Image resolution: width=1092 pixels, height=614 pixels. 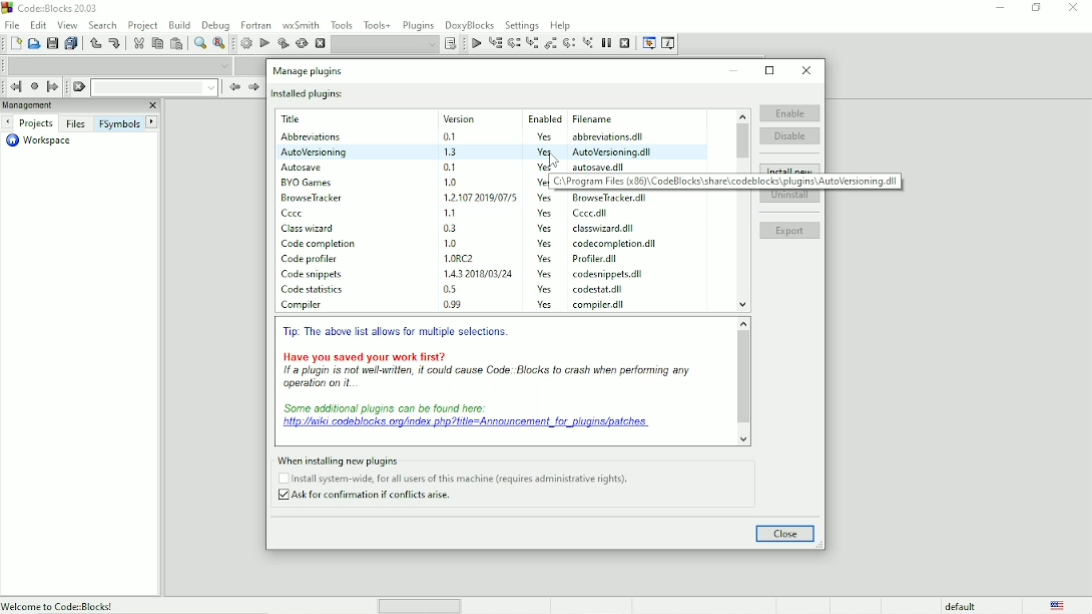 I want to click on Next, so click(x=253, y=87).